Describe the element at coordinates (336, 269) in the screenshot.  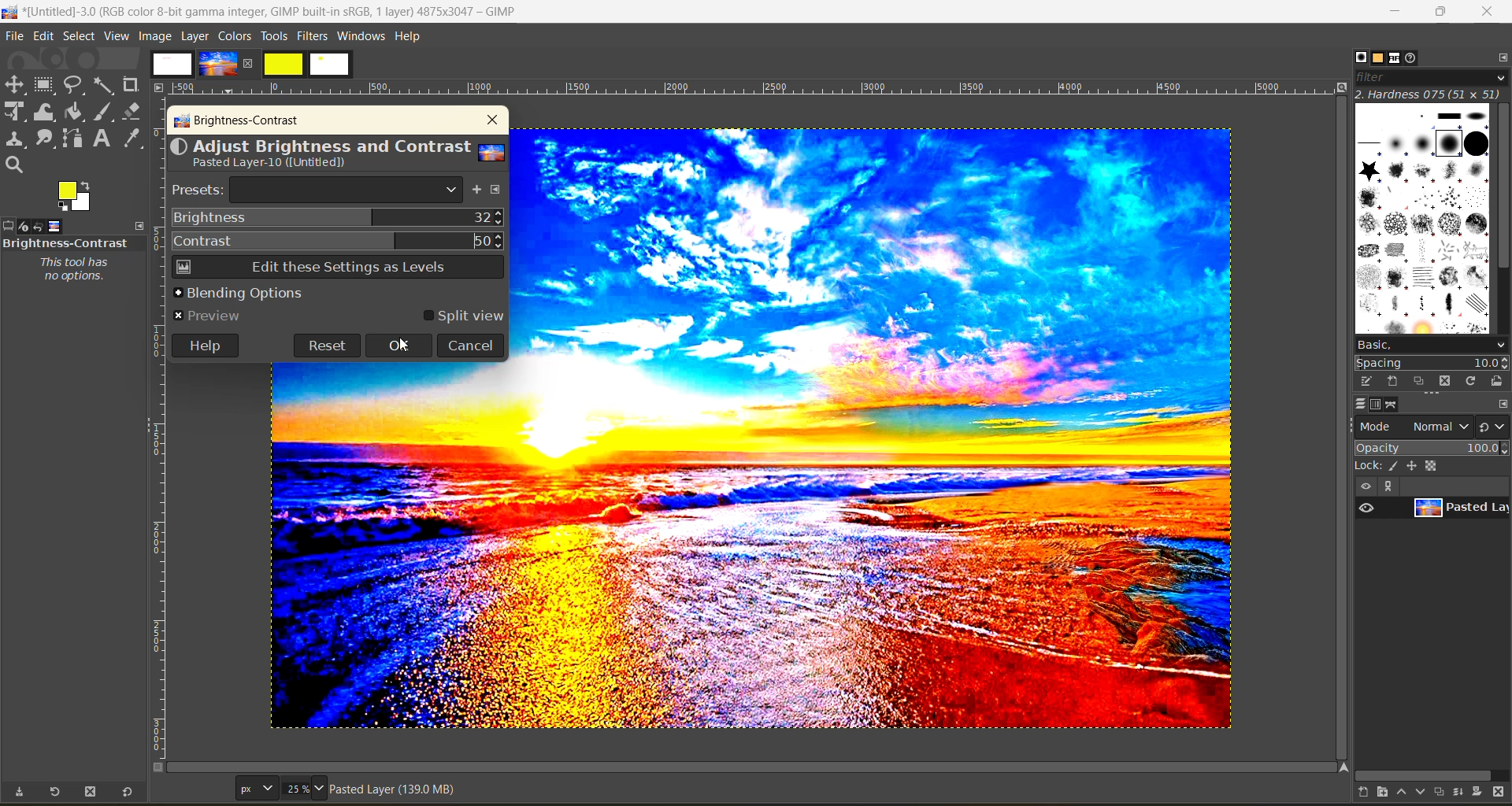
I see `edit these settings as levels` at that location.